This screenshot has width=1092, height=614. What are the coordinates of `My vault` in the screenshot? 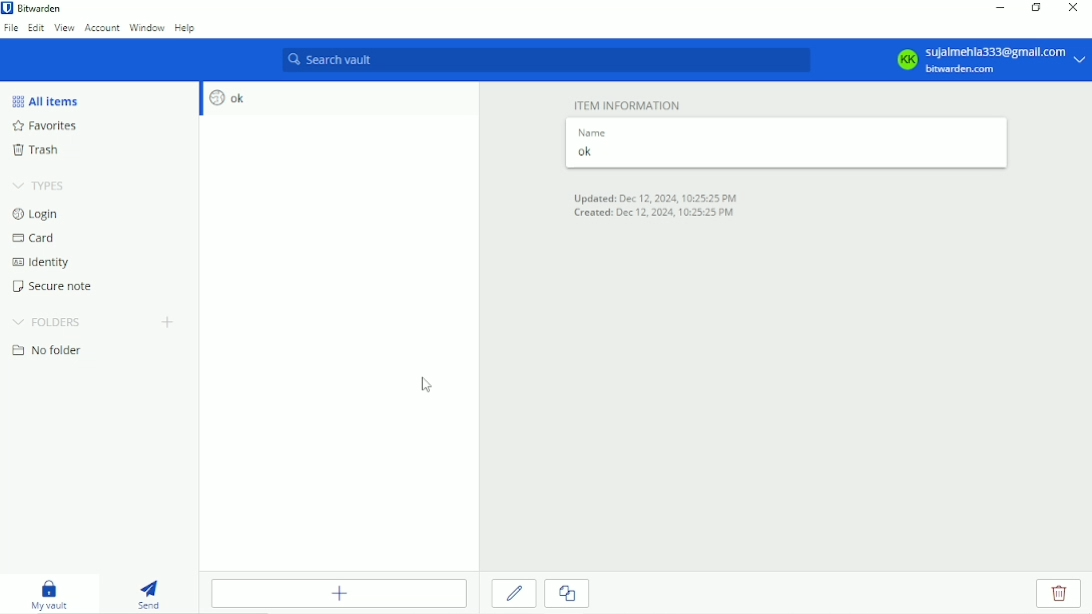 It's located at (49, 593).